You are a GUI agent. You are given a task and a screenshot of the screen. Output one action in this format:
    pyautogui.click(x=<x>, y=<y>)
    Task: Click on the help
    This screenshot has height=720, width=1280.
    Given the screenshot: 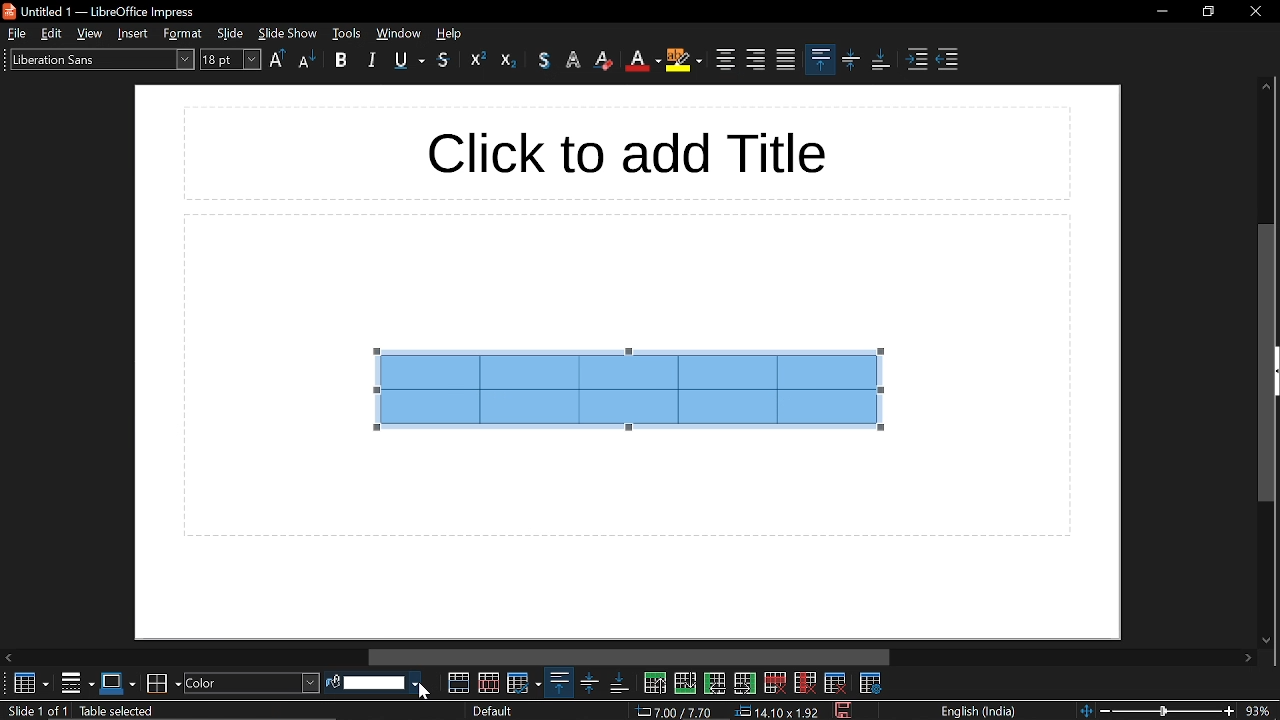 What is the action you would take?
    pyautogui.click(x=451, y=34)
    